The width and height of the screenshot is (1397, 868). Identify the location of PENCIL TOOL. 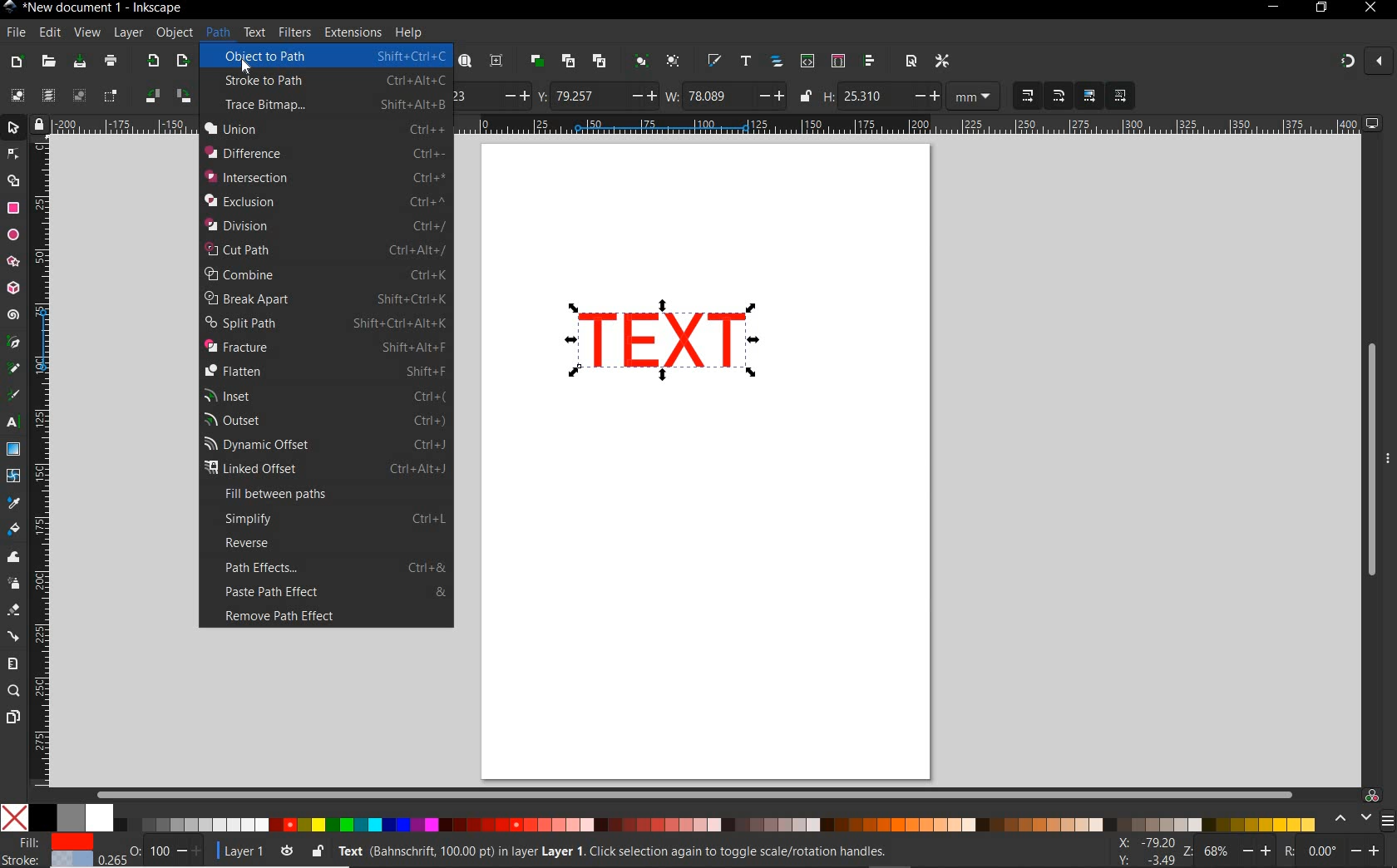
(13, 369).